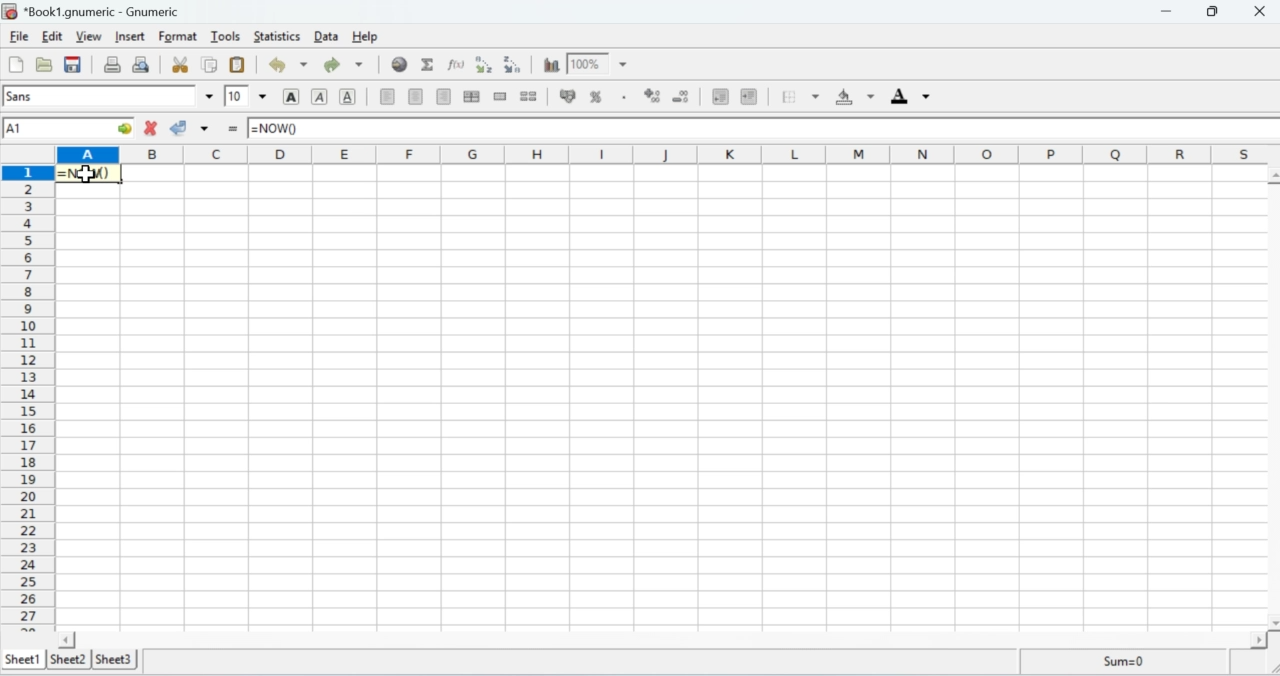 This screenshot has width=1280, height=676. Describe the element at coordinates (502, 97) in the screenshot. I see `Merge a range of cells` at that location.